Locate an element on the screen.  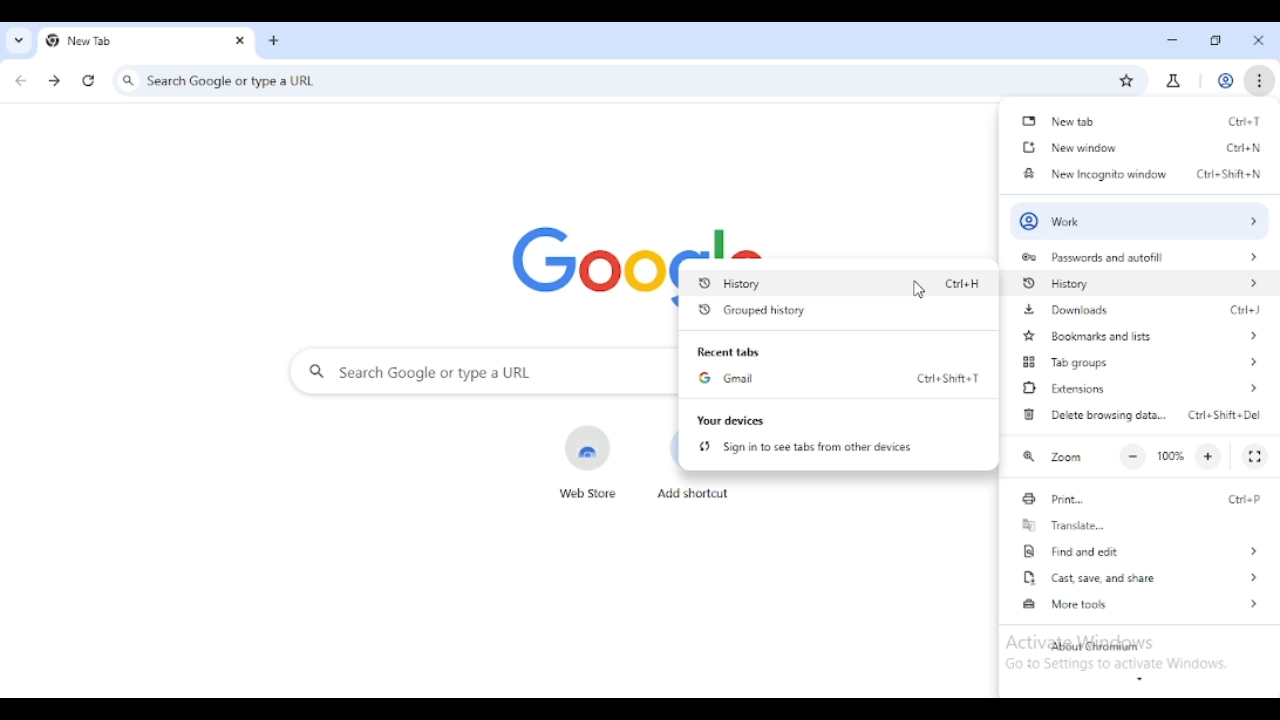
shortcut for new tab is located at coordinates (1246, 120).